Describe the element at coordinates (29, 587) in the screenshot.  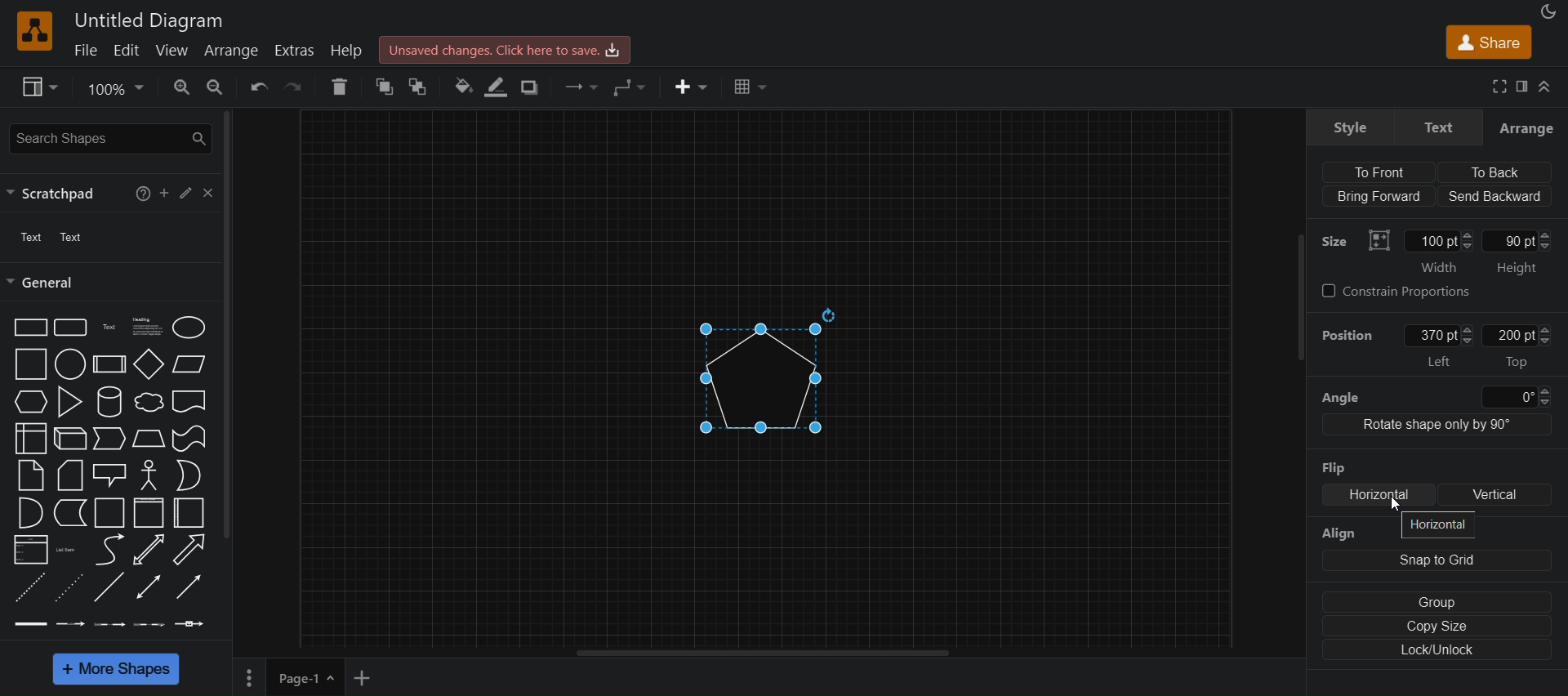
I see `Dashed line` at that location.